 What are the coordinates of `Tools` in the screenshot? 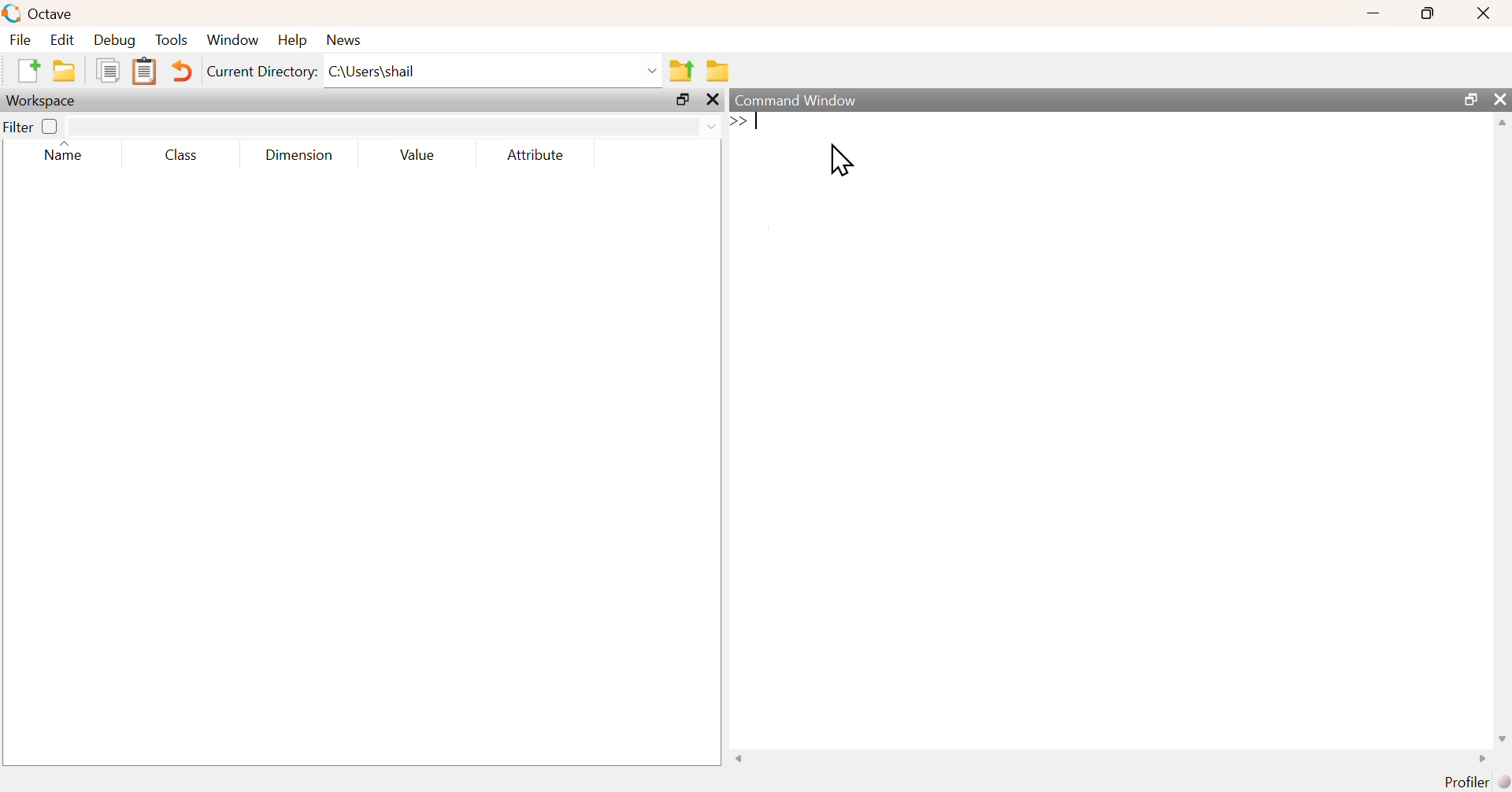 It's located at (172, 41).